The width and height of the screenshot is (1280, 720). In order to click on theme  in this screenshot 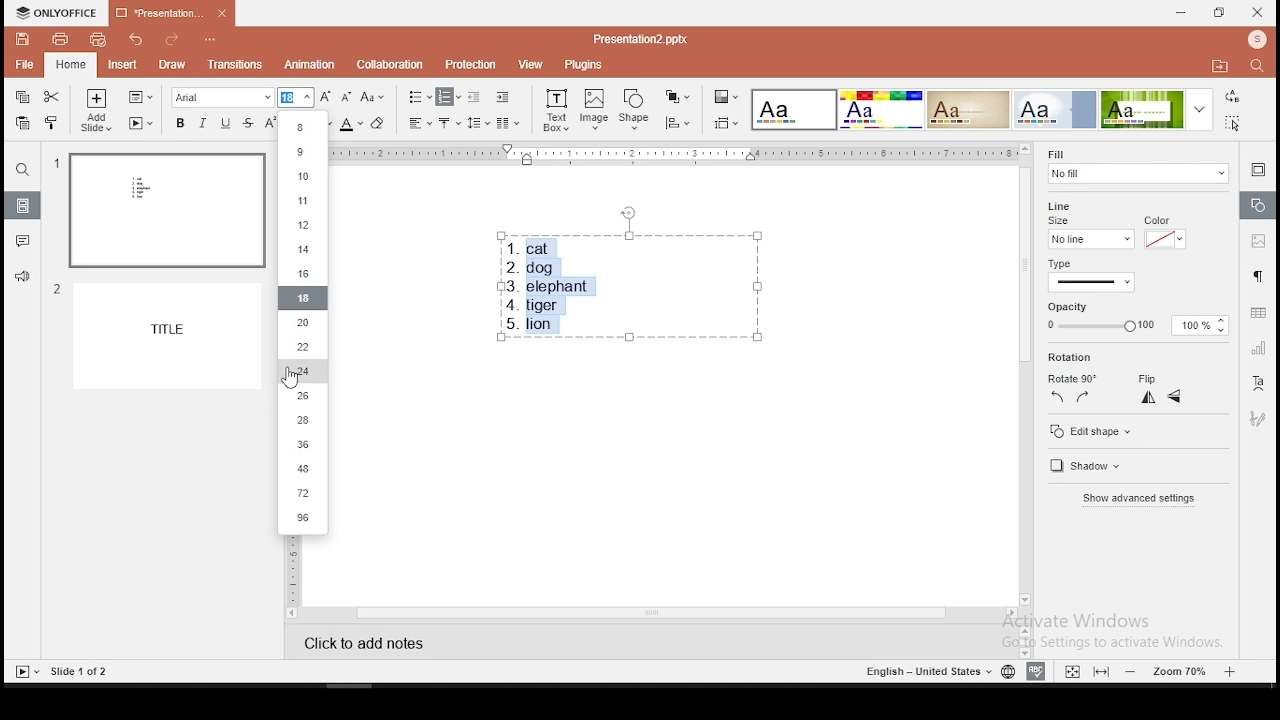, I will do `click(1156, 110)`.